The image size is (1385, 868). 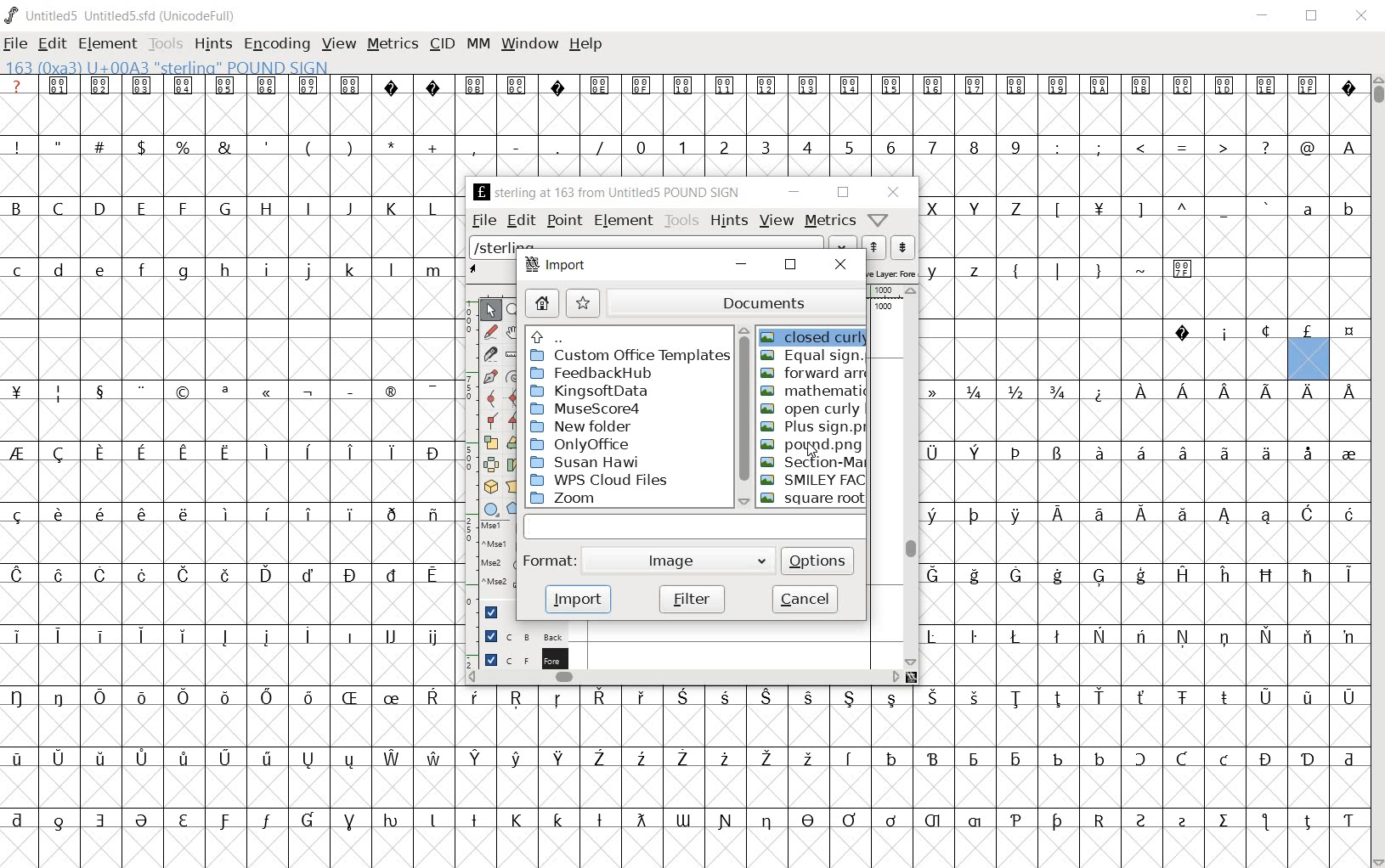 What do you see at coordinates (585, 442) in the screenshot?
I see `OnlyOffice` at bounding box center [585, 442].